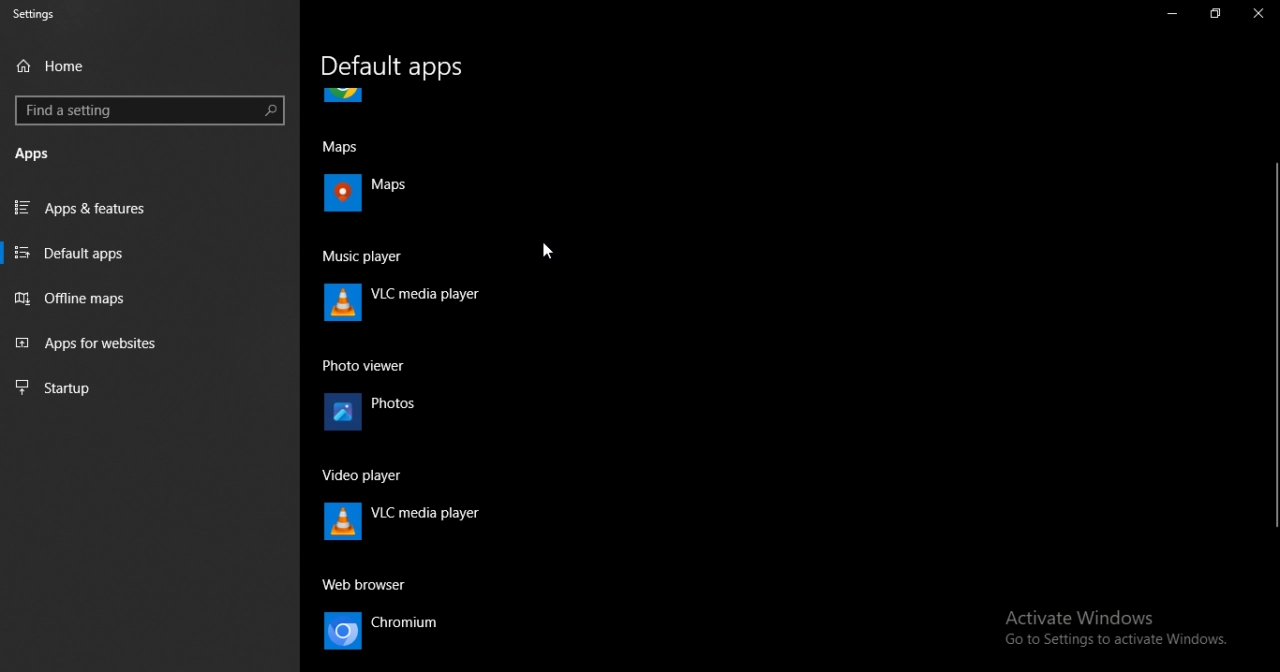 This screenshot has height=672, width=1280. I want to click on apps, so click(44, 155).